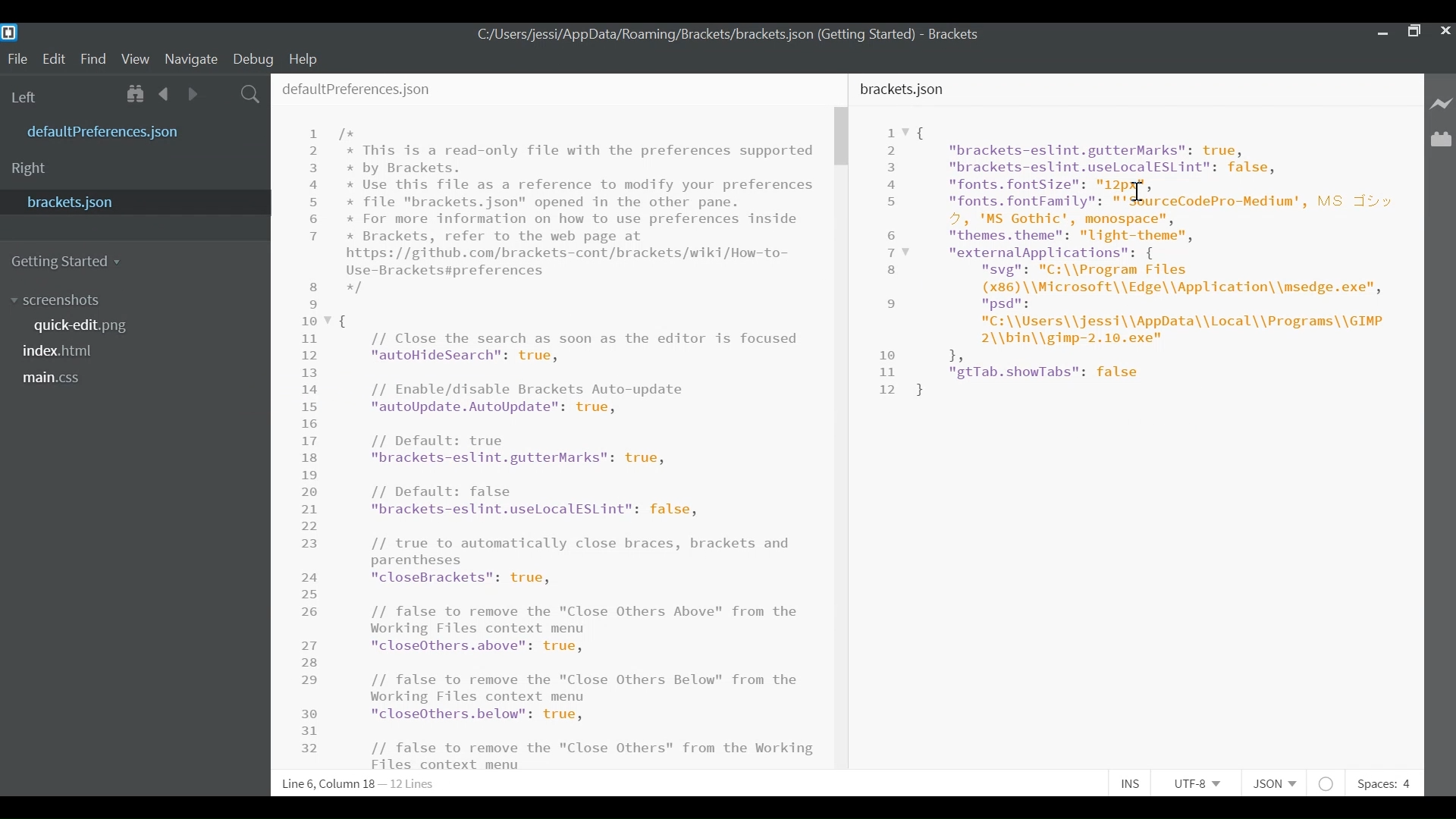 The image size is (1456, 819). Describe the element at coordinates (1381, 32) in the screenshot. I see `minimize` at that location.